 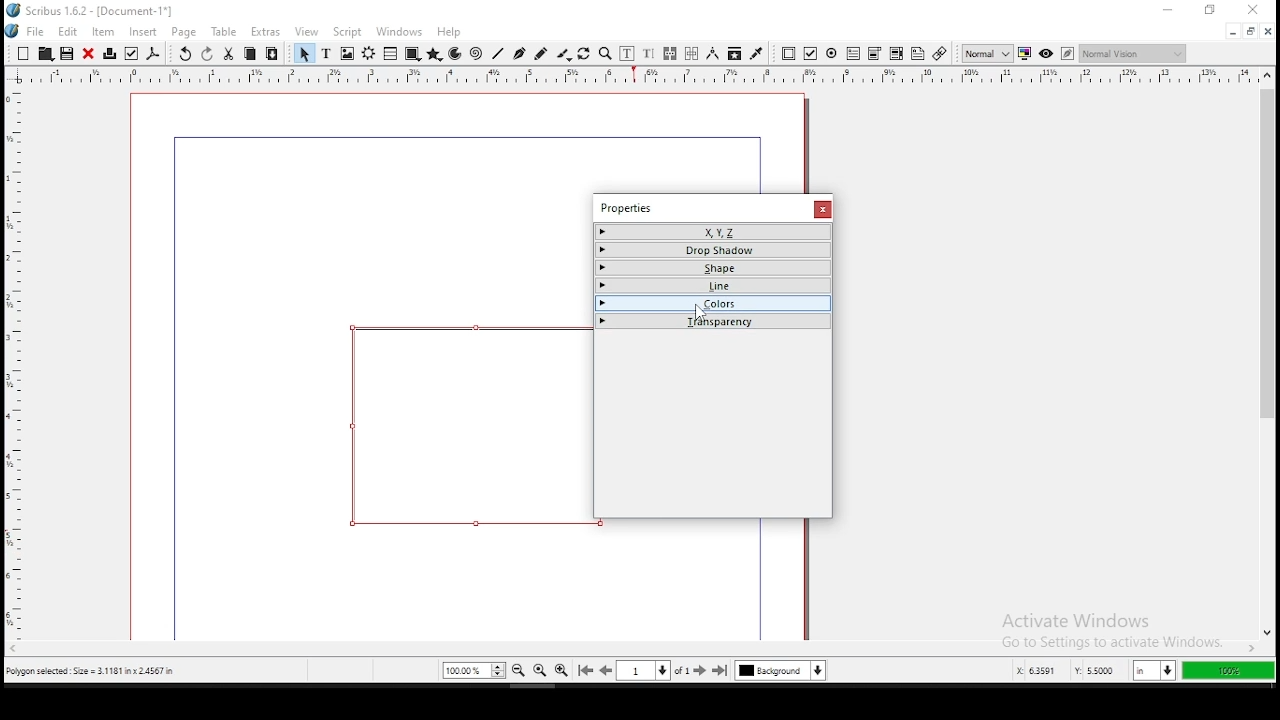 I want to click on bezier curve, so click(x=519, y=54).